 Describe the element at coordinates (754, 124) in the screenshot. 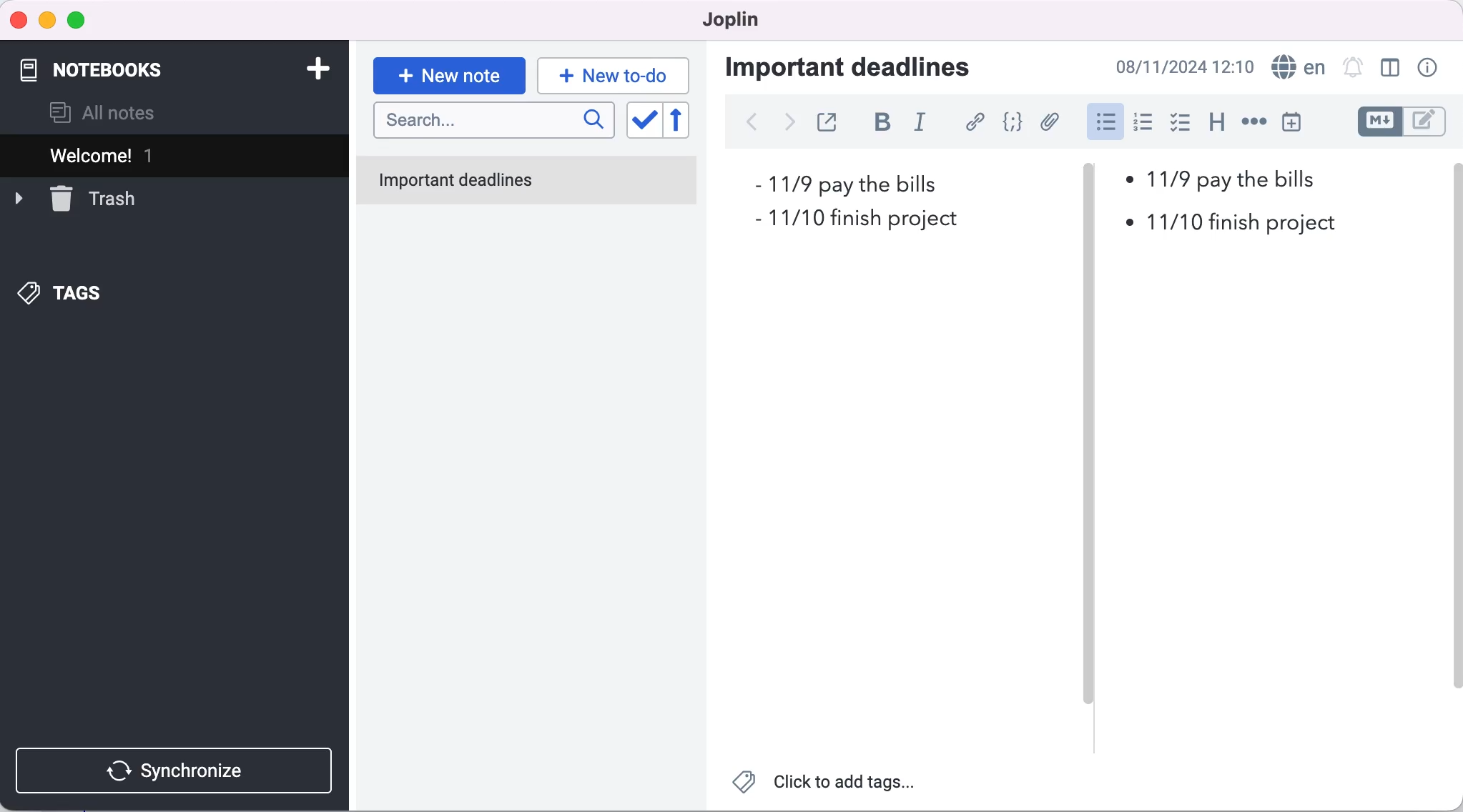

I see `back` at that location.